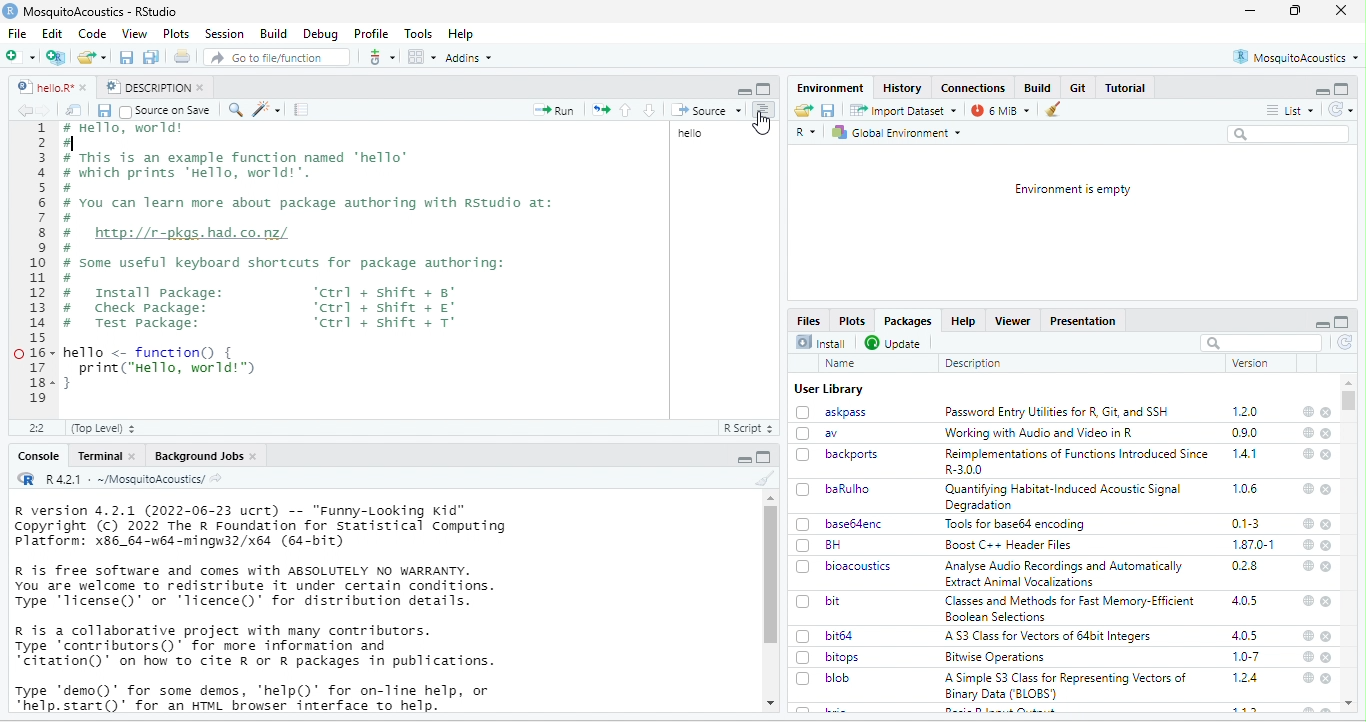 Image resolution: width=1366 pixels, height=722 pixels. I want to click on minimize, so click(1250, 10).